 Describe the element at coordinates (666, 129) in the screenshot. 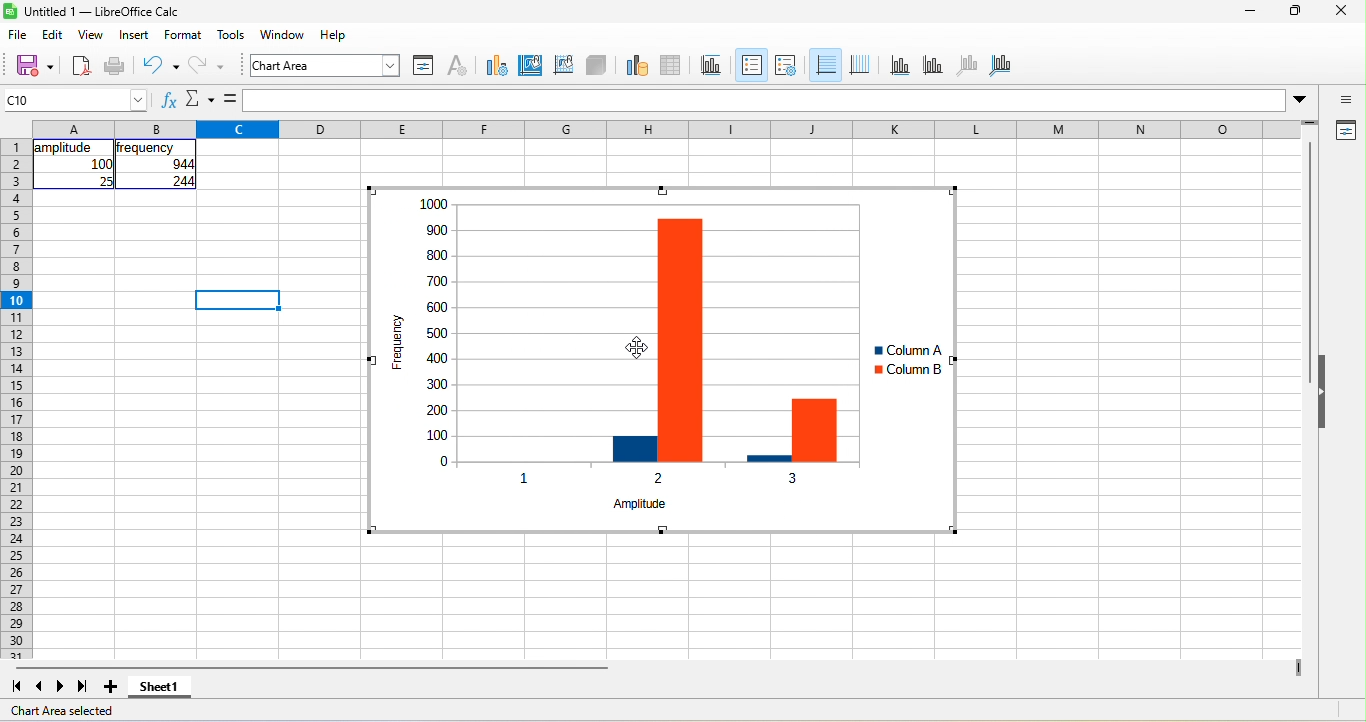

I see `column headings` at that location.